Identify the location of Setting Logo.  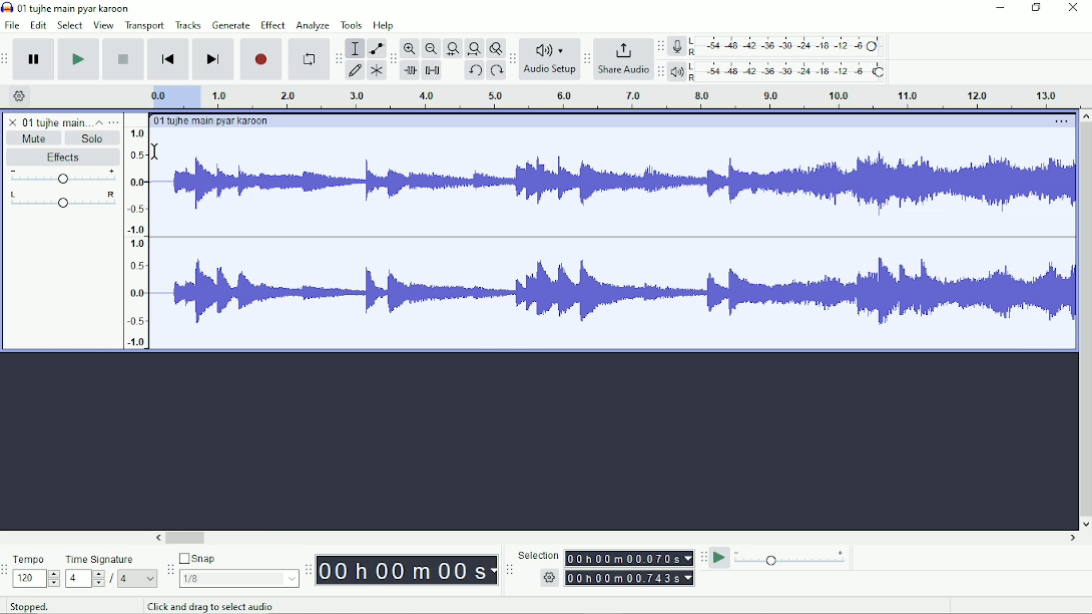
(548, 580).